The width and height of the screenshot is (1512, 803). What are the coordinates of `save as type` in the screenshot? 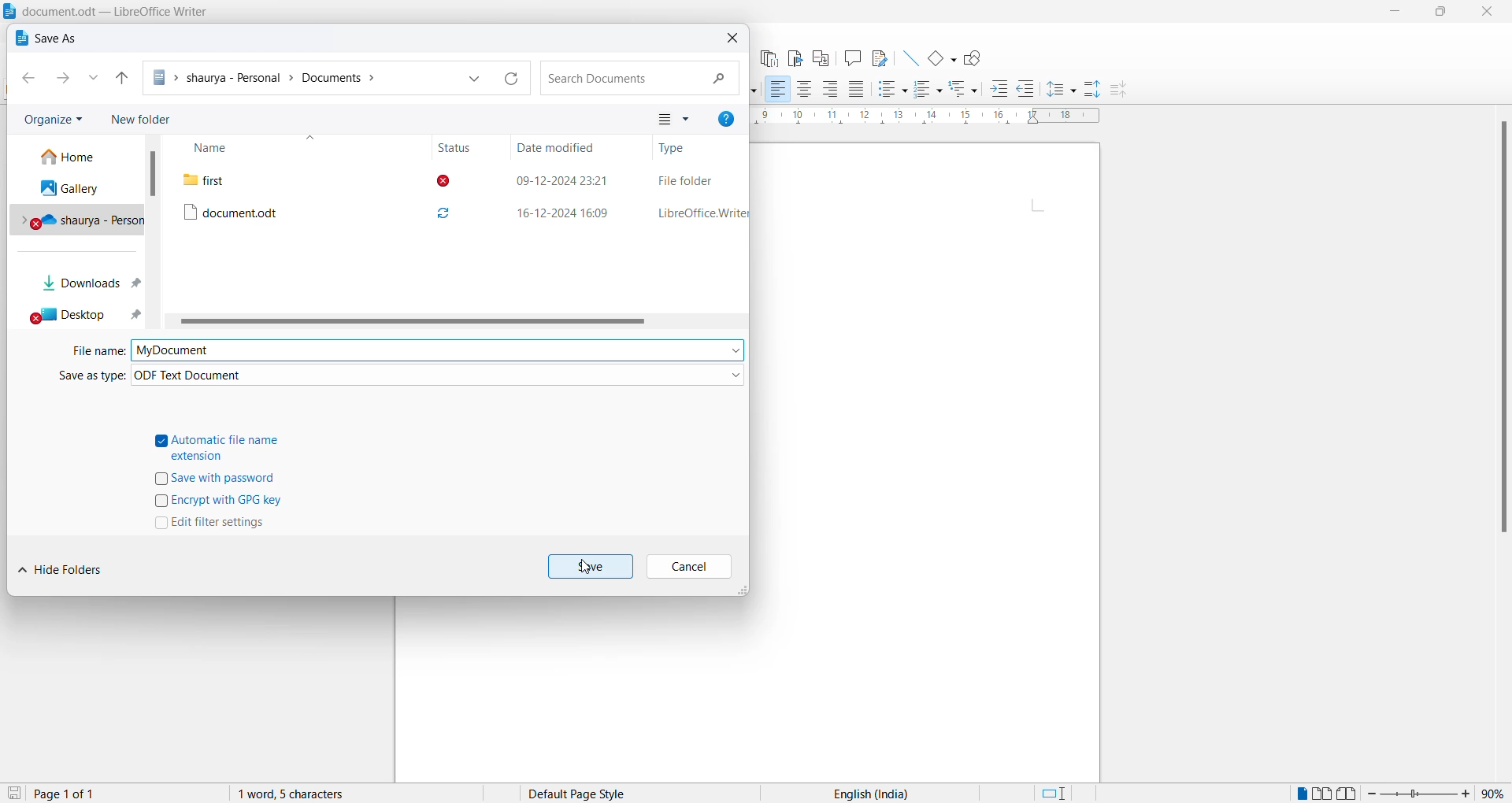 It's located at (79, 380).